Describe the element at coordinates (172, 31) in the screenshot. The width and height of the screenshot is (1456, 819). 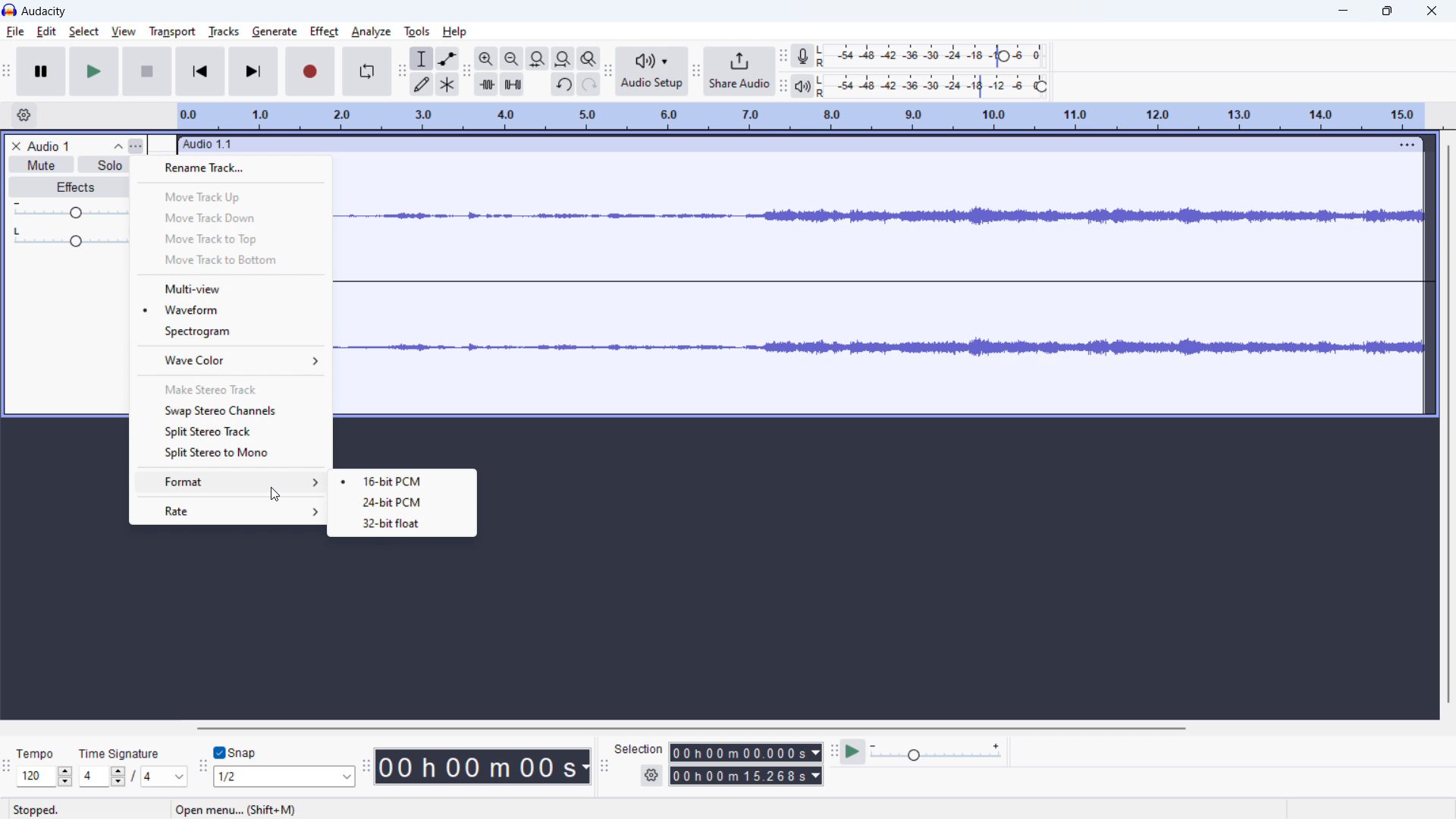
I see `transport` at that location.